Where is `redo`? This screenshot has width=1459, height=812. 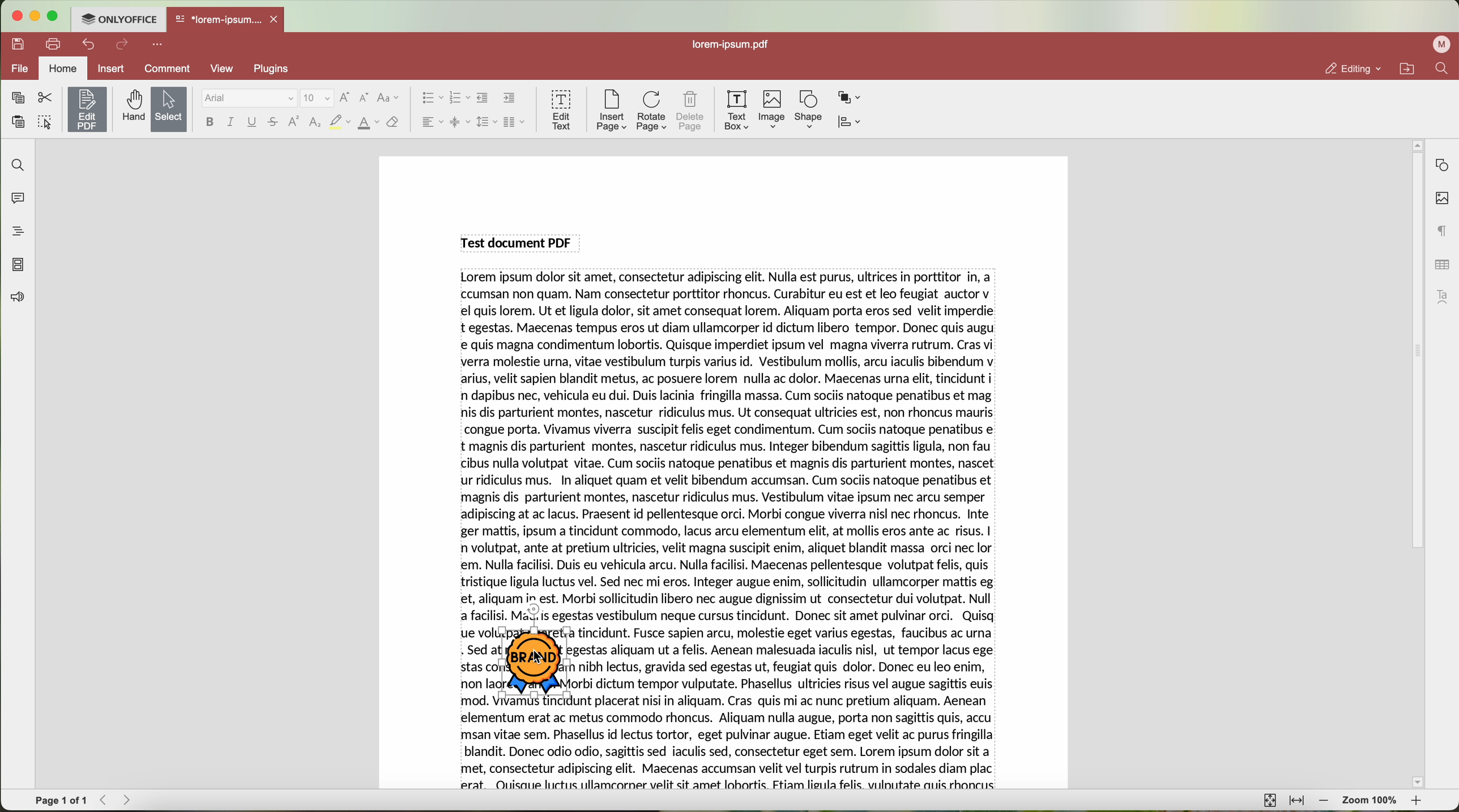
redo is located at coordinates (122, 45).